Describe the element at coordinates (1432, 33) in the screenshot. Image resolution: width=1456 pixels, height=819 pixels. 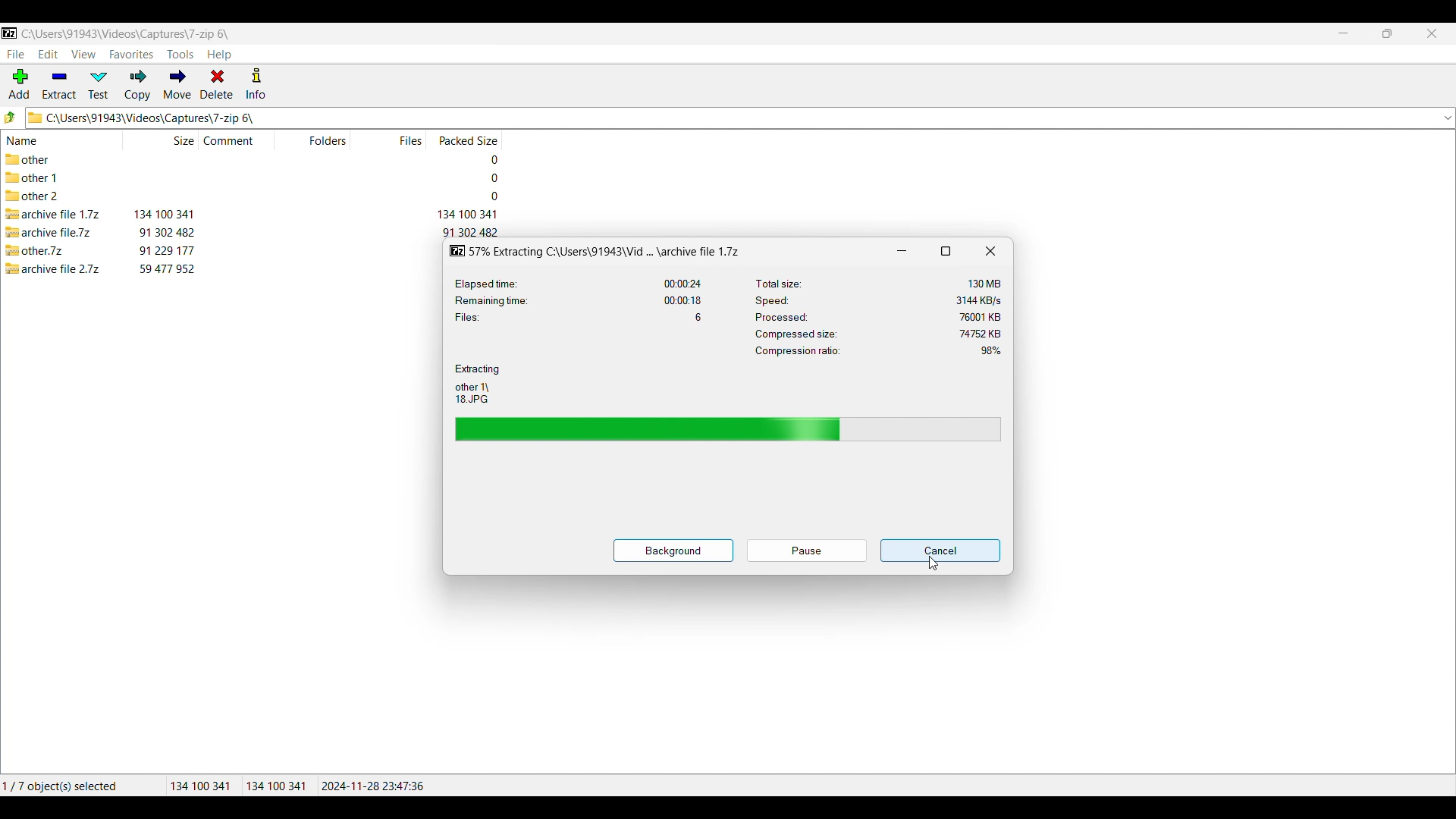
I see `Close interface` at that location.